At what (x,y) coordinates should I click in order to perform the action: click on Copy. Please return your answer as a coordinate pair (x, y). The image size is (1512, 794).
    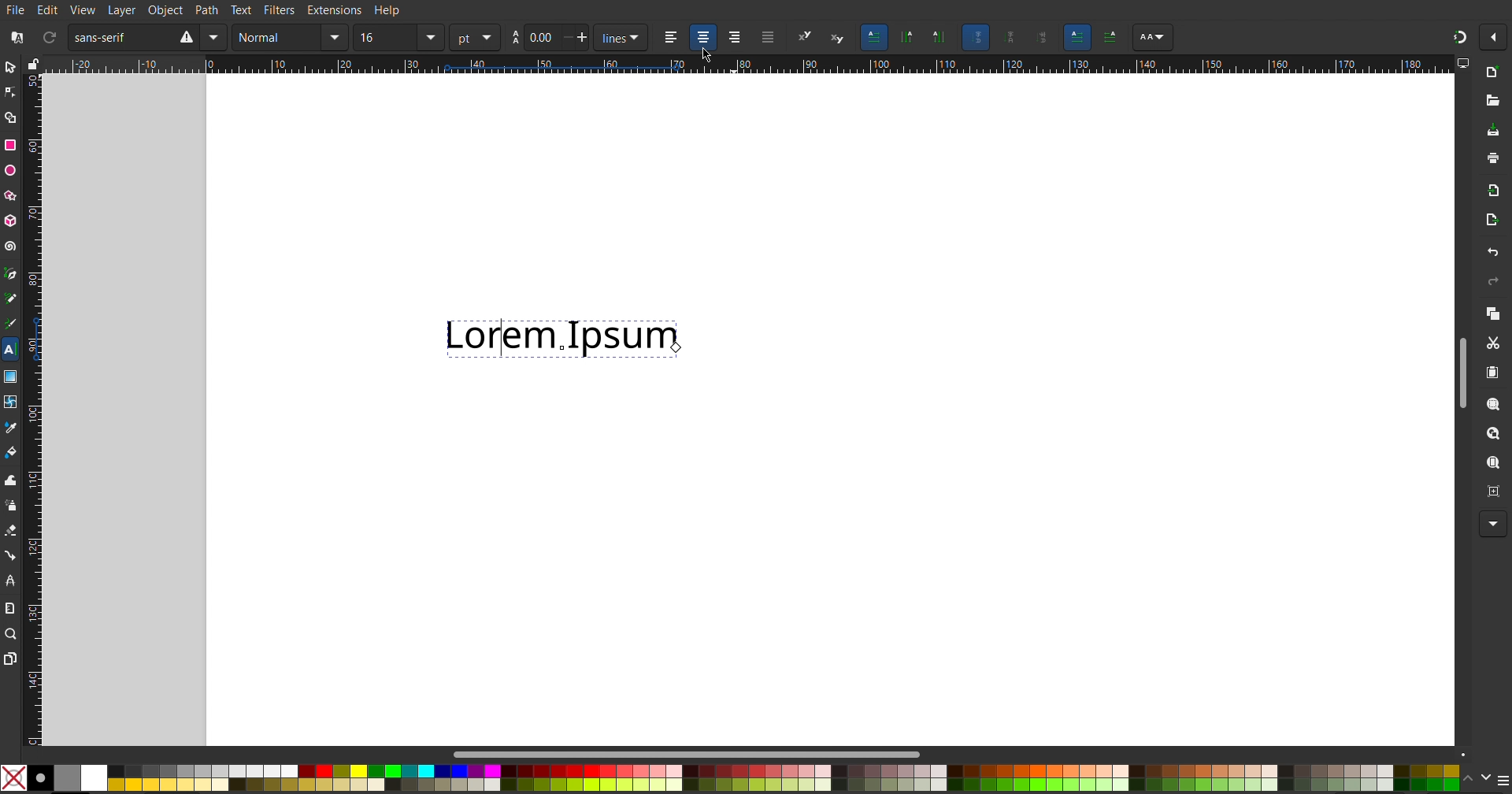
    Looking at the image, I should click on (1494, 315).